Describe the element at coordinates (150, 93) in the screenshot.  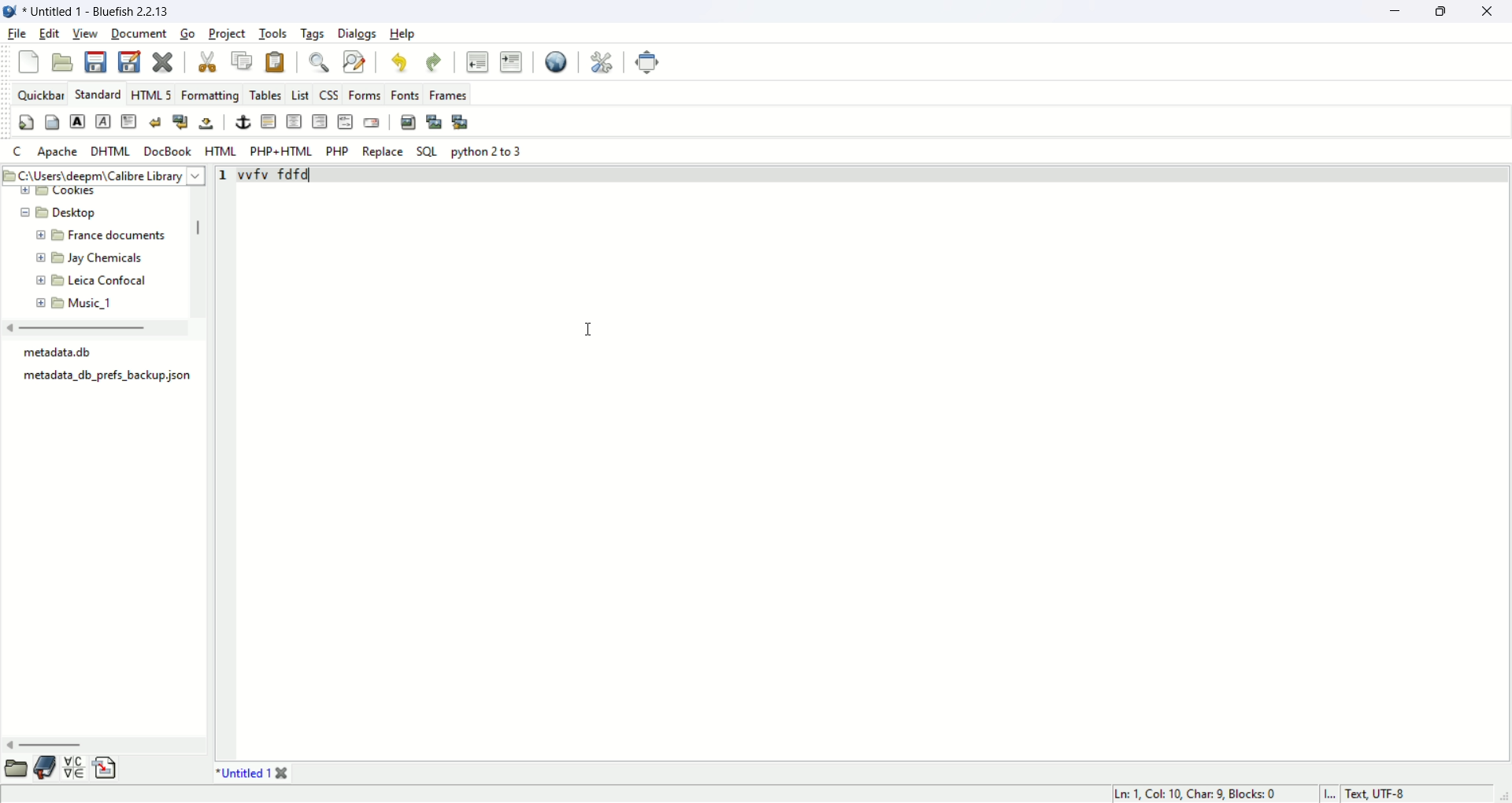
I see `HTML 5` at that location.